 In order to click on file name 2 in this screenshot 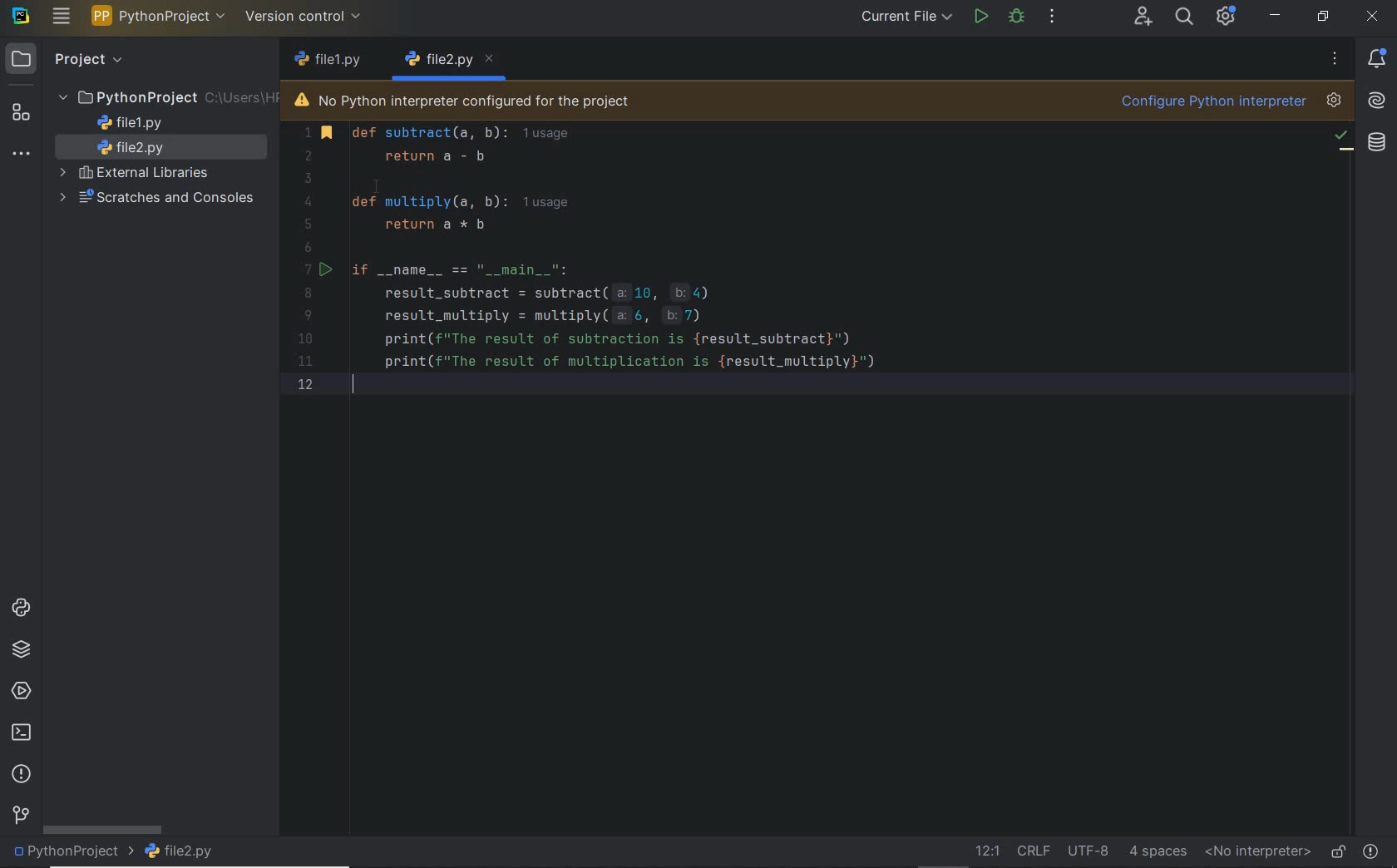, I will do `click(137, 149)`.